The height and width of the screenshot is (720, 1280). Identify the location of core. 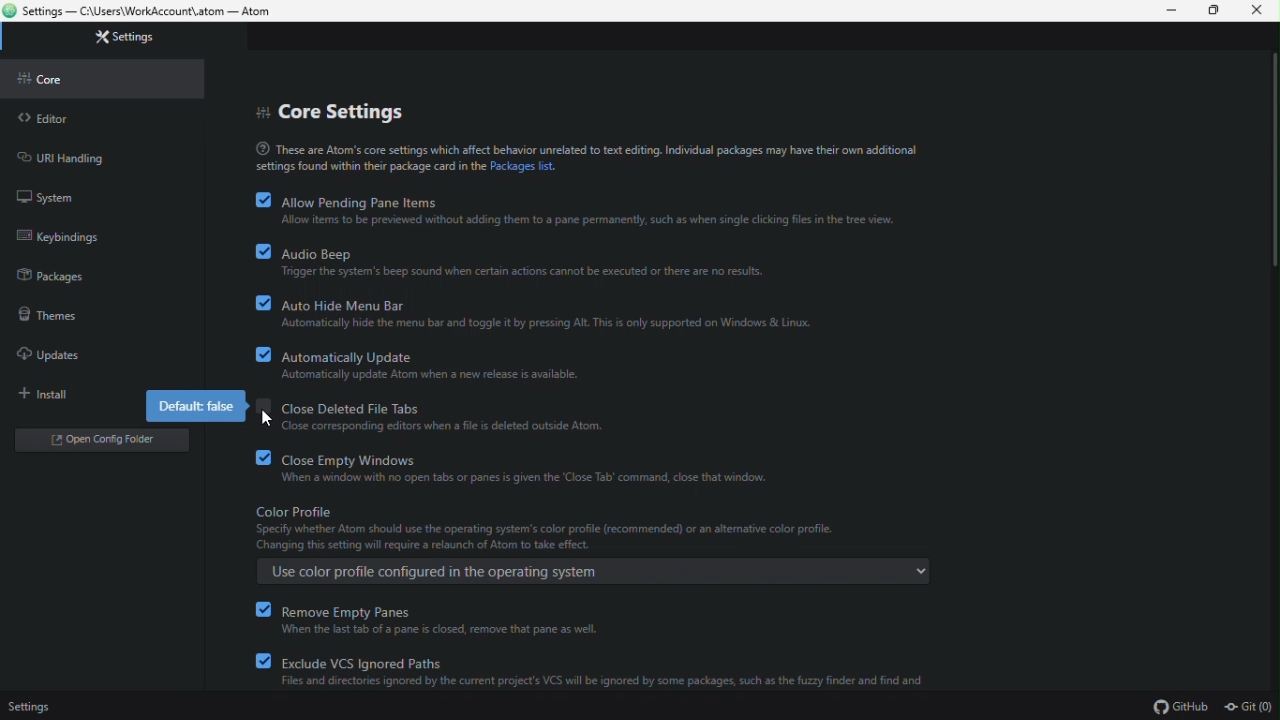
(48, 77).